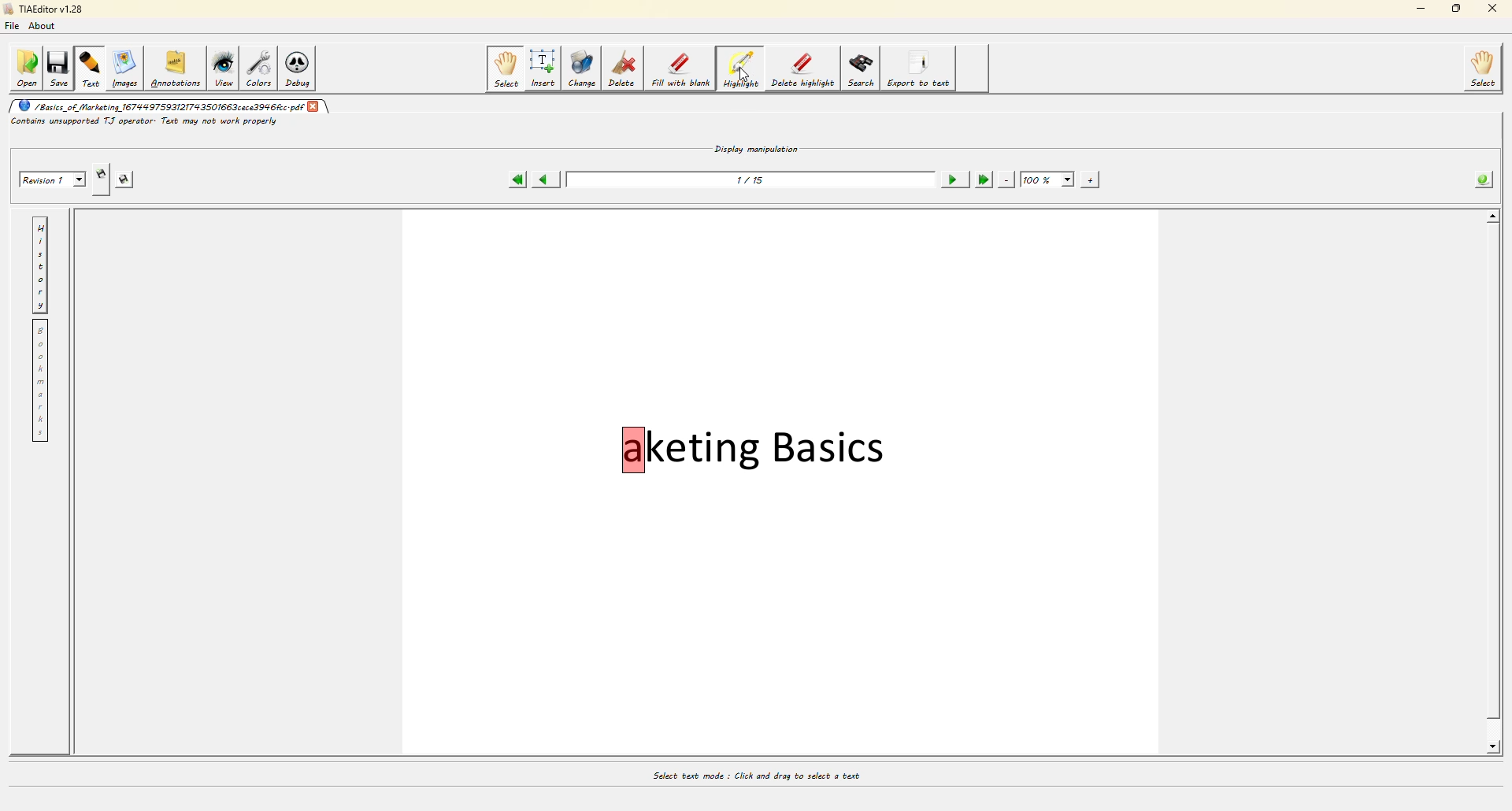  I want to click on debug, so click(303, 69).